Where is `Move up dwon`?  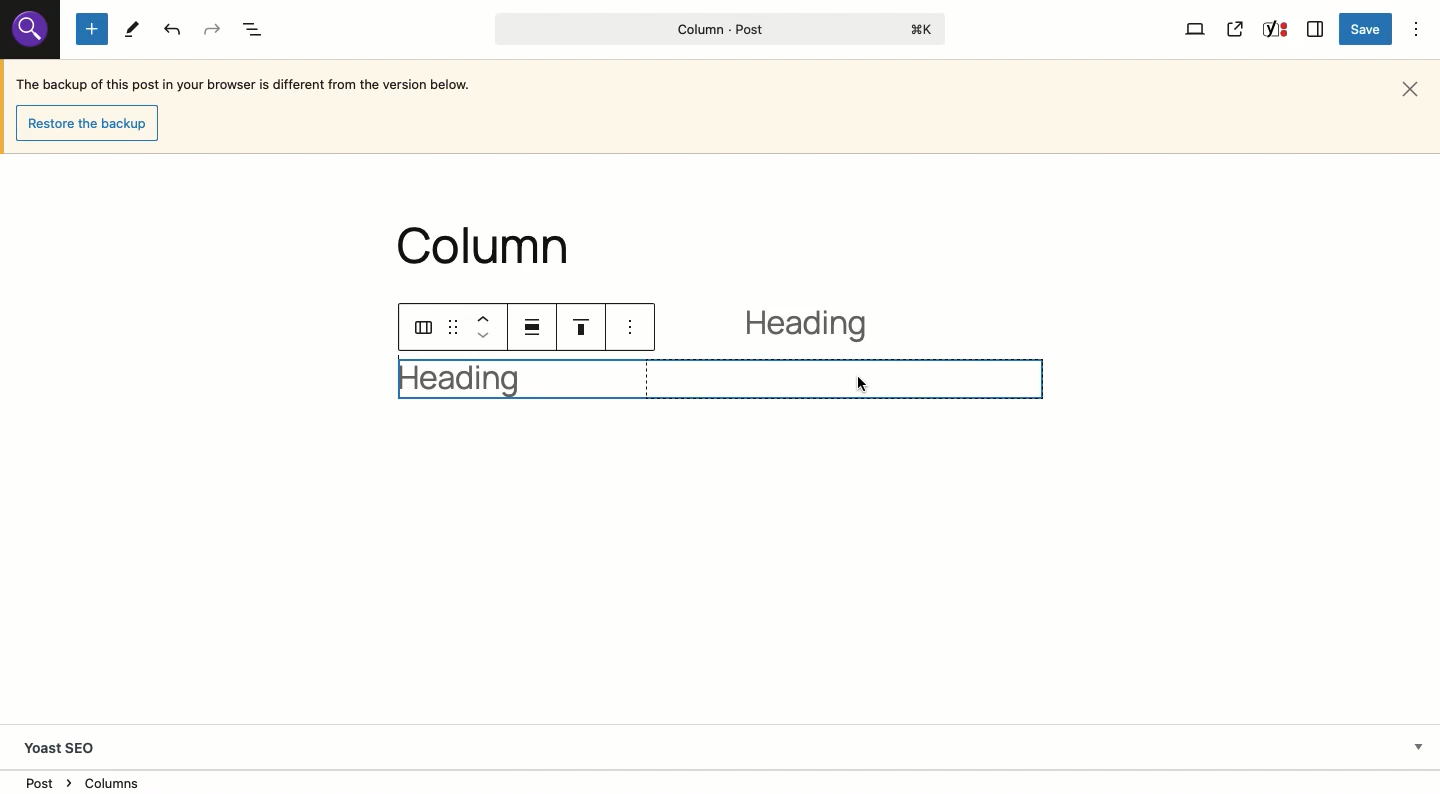 Move up dwon is located at coordinates (483, 329).